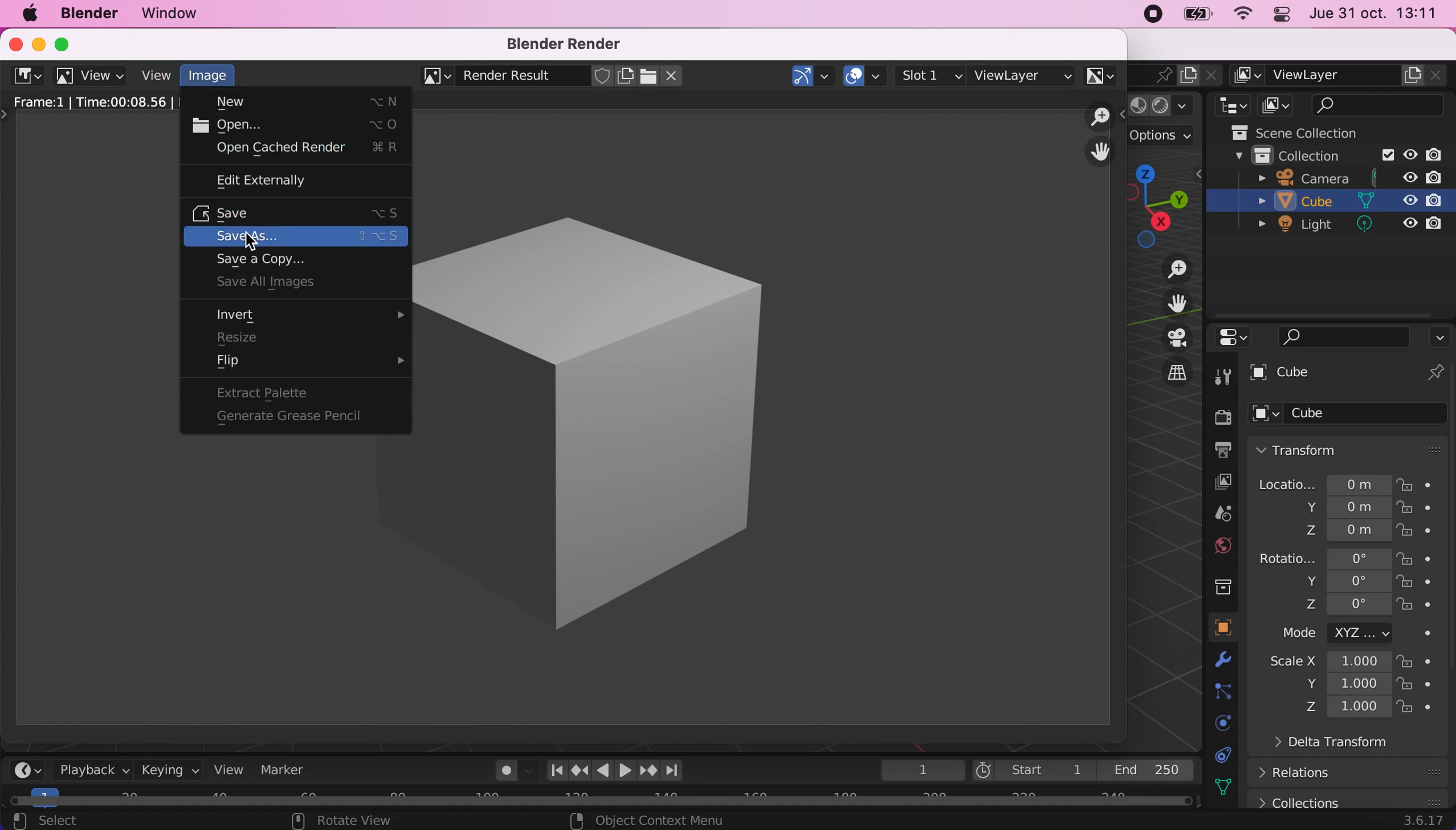 The height and width of the screenshot is (830, 1456). I want to click on lock, so click(1419, 584).